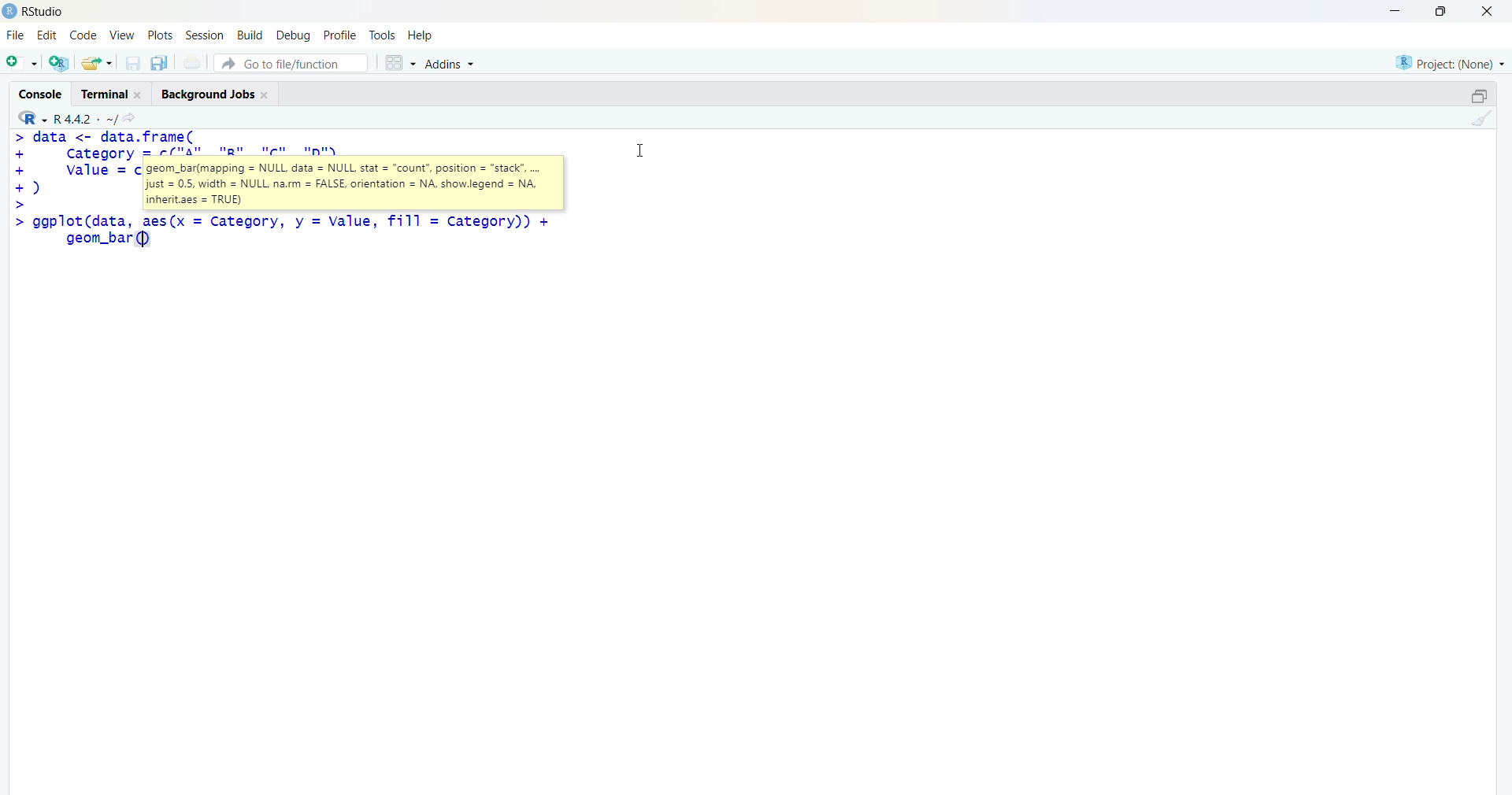 Image resolution: width=1512 pixels, height=795 pixels. Describe the element at coordinates (47, 35) in the screenshot. I see `edit` at that location.